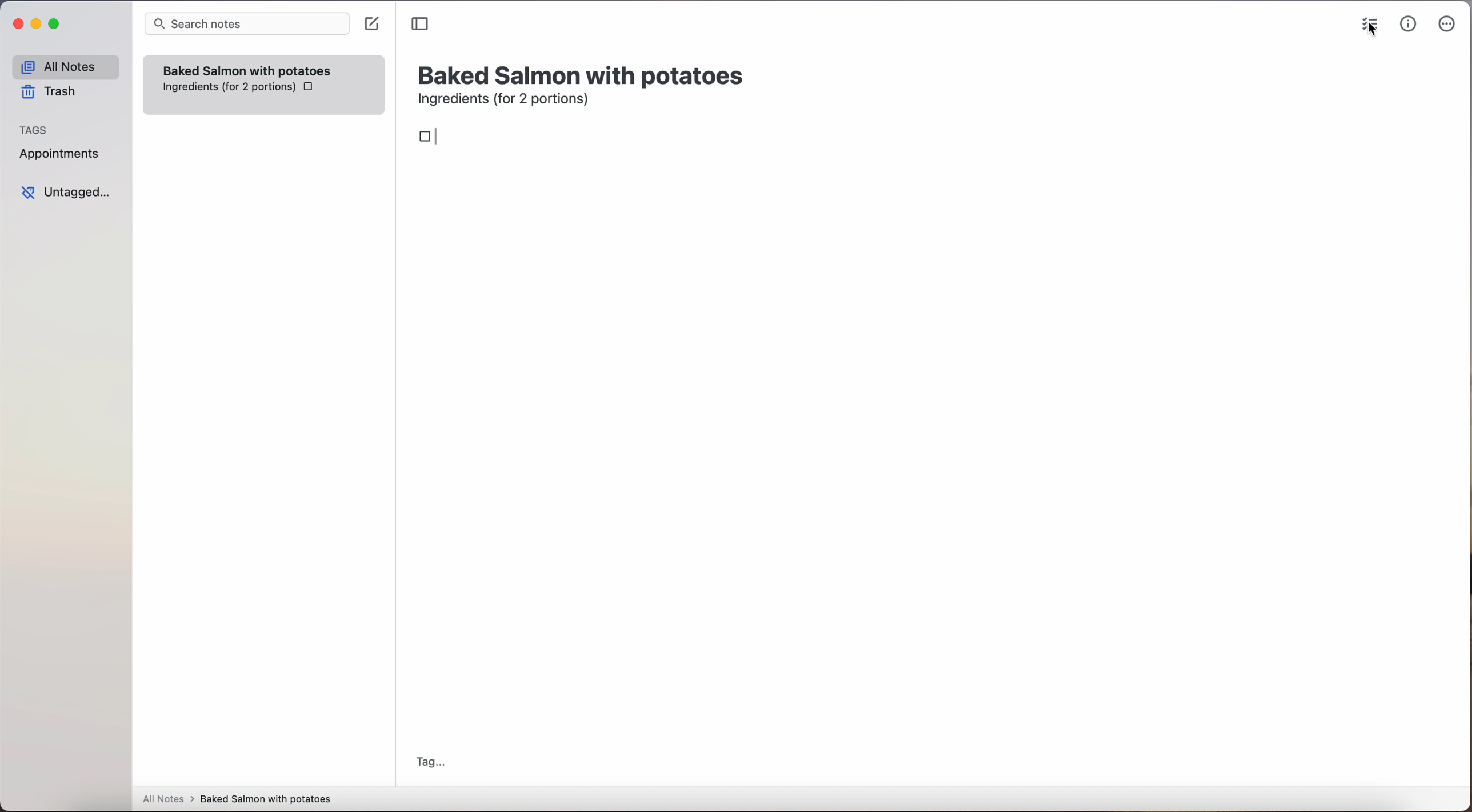 The width and height of the screenshot is (1472, 812). Describe the element at coordinates (17, 25) in the screenshot. I see `close Simplenote` at that location.